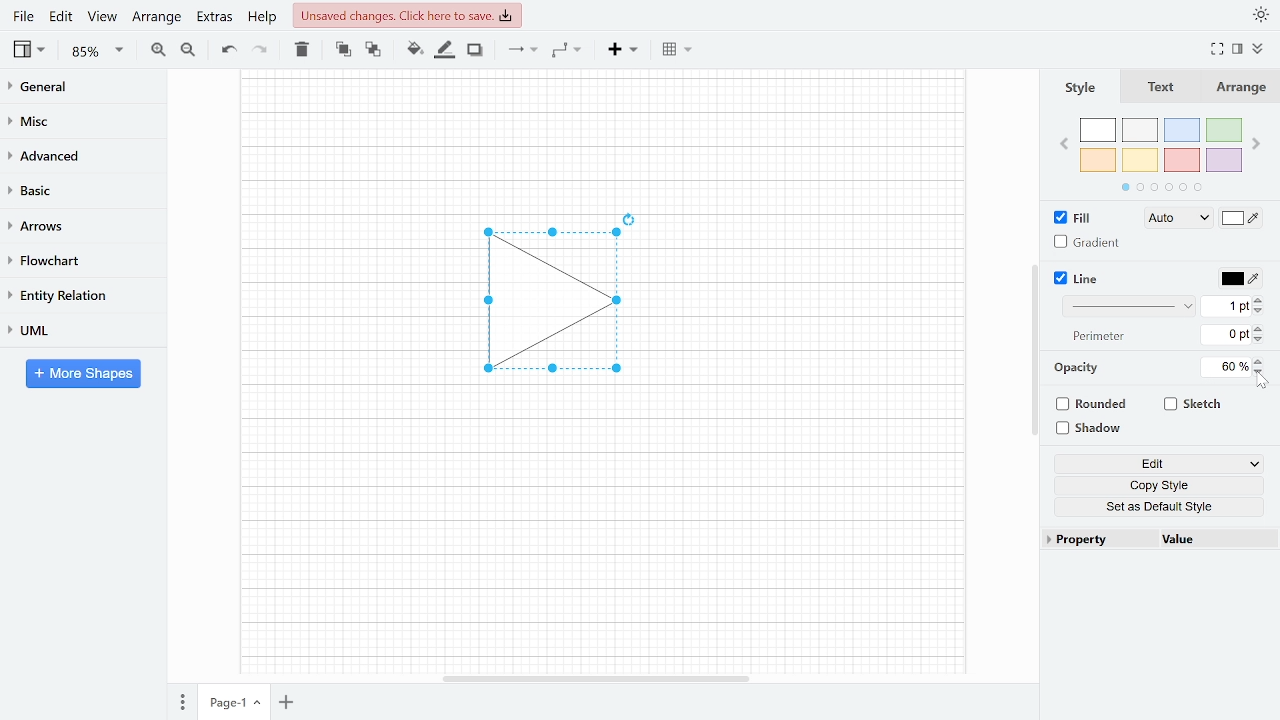  I want to click on INcrease line width, so click(1261, 297).